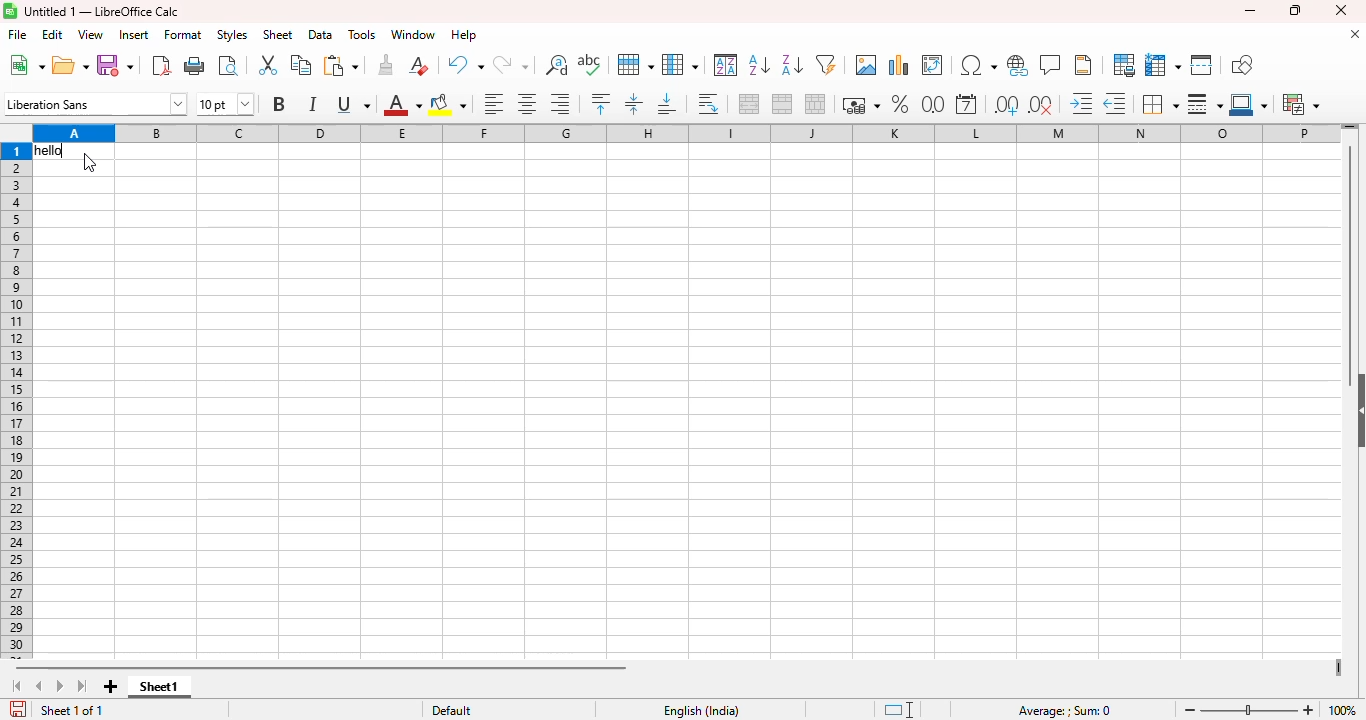 The width and height of the screenshot is (1366, 720). Describe the element at coordinates (225, 104) in the screenshot. I see `font size` at that location.